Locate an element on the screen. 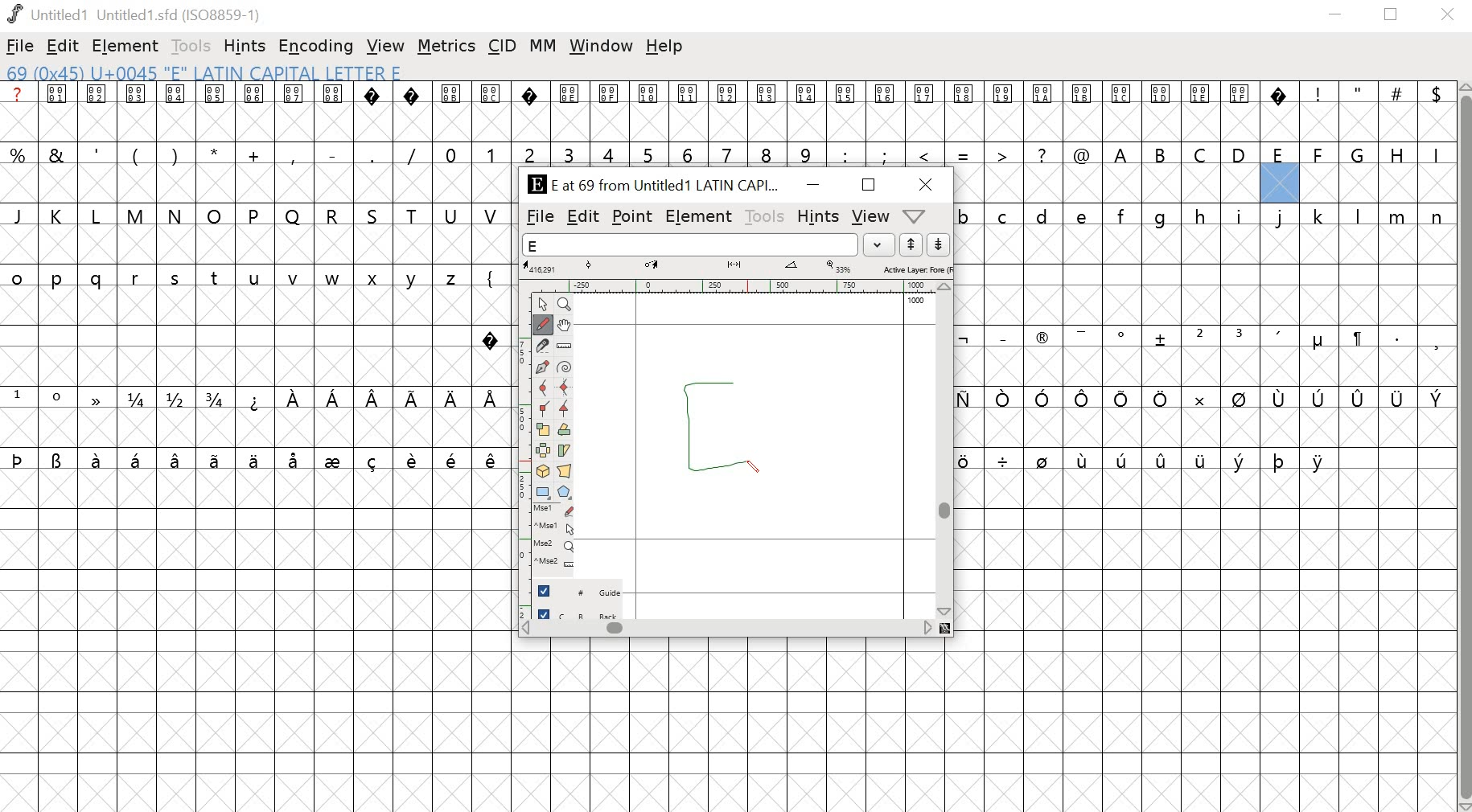 This screenshot has width=1472, height=812. up is located at coordinates (911, 244).